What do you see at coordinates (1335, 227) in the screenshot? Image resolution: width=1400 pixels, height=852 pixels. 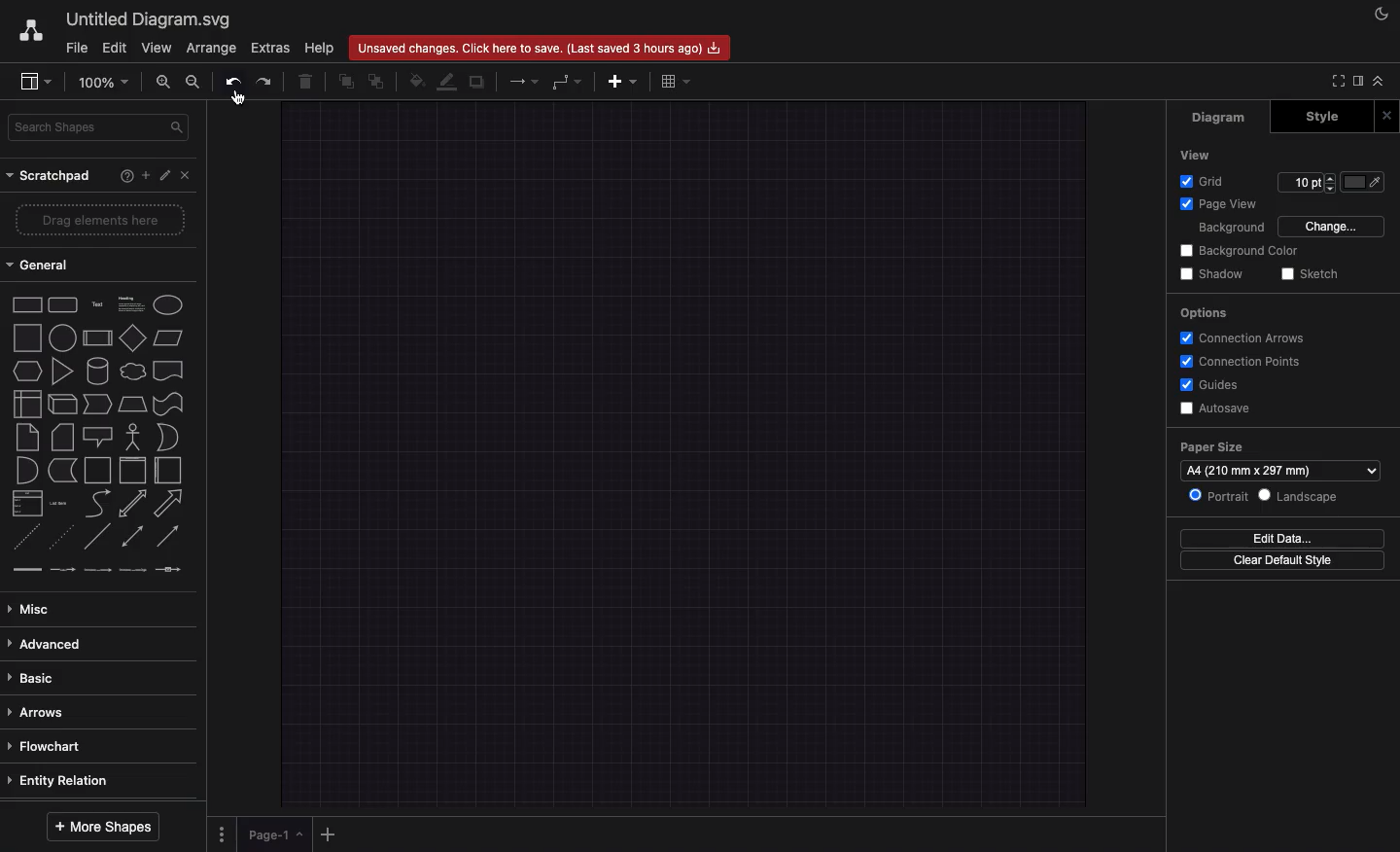 I see `Change` at bounding box center [1335, 227].